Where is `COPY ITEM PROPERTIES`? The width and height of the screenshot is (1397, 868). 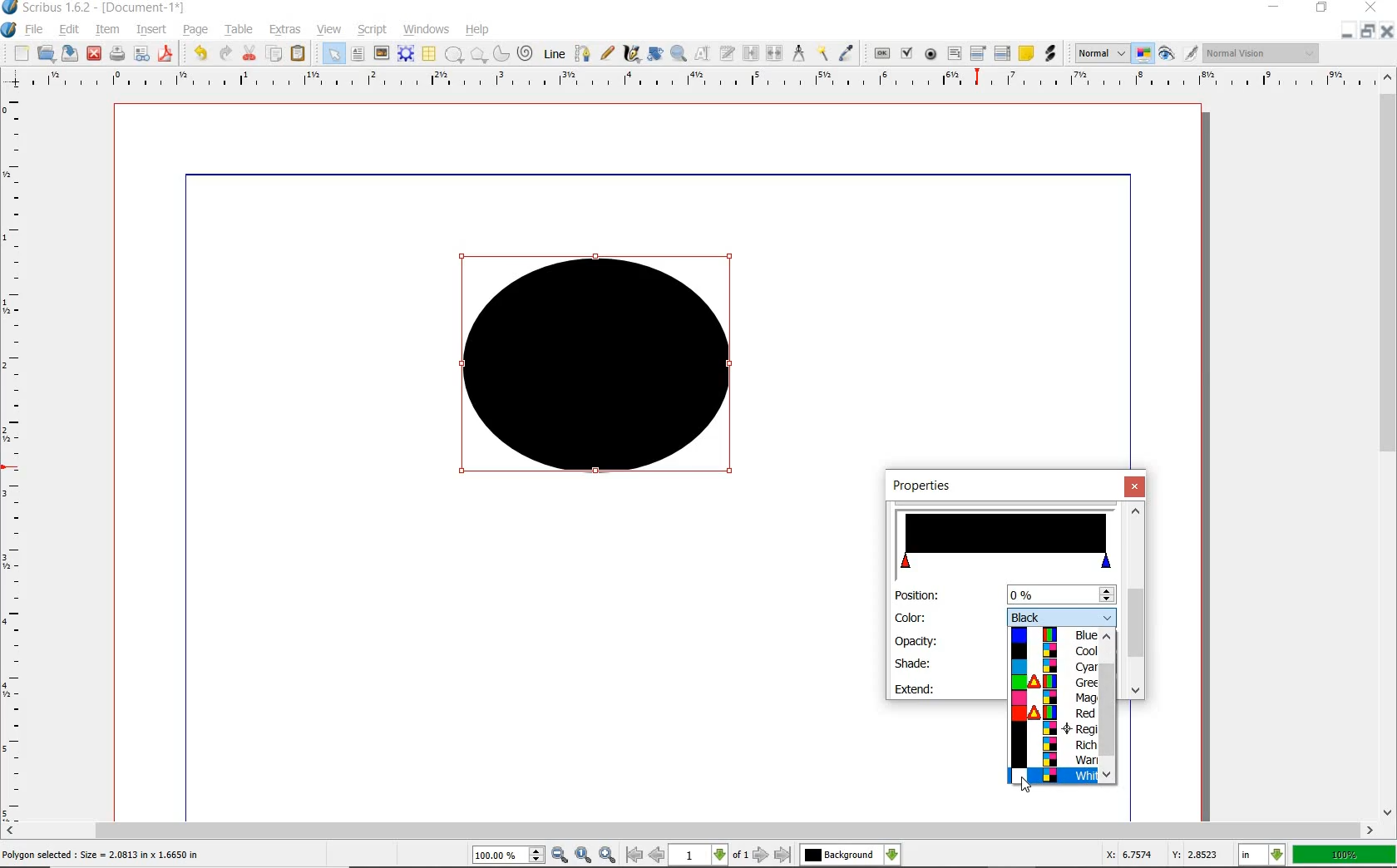 COPY ITEM PROPERTIES is located at coordinates (822, 52).